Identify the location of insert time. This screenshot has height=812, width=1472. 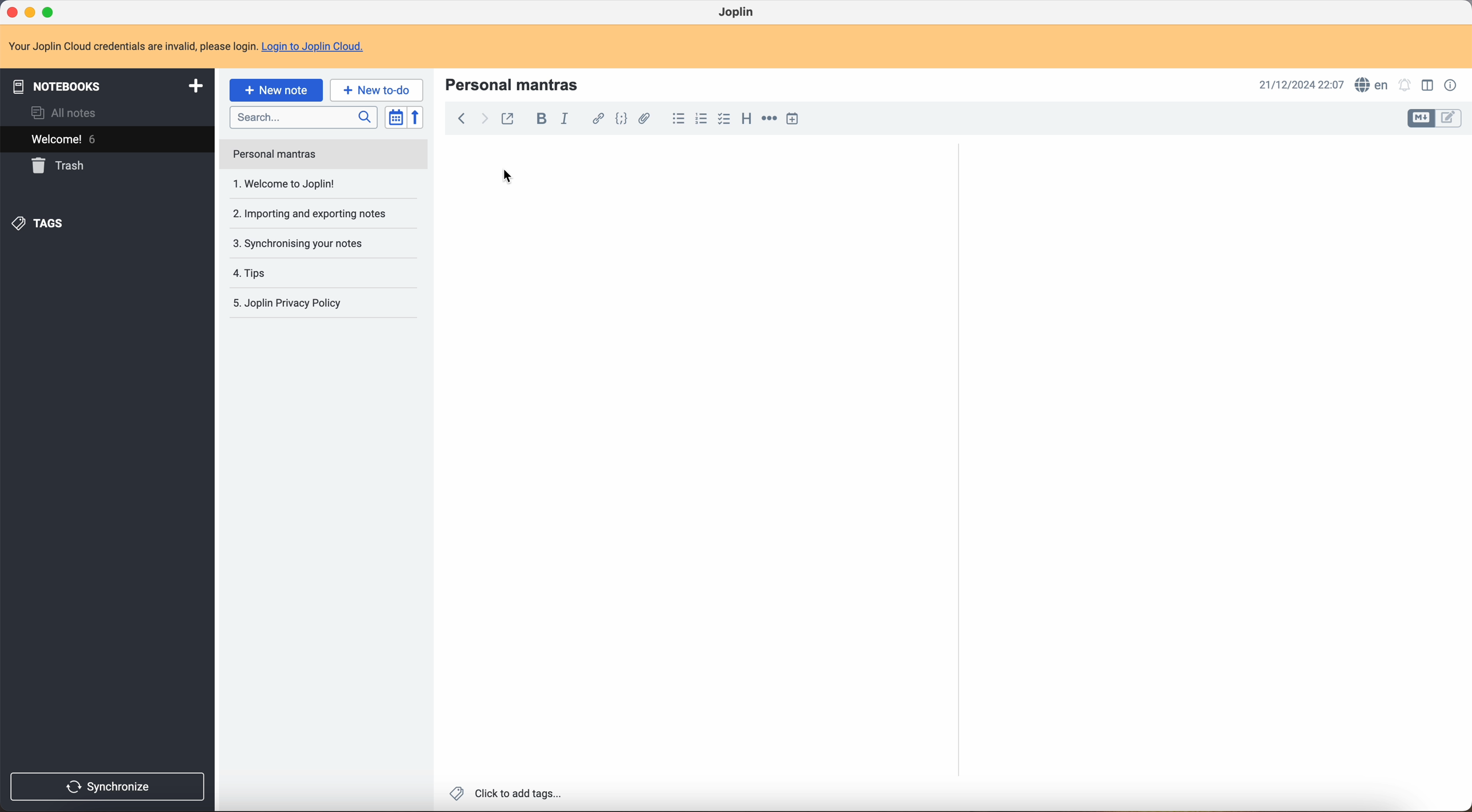
(792, 118).